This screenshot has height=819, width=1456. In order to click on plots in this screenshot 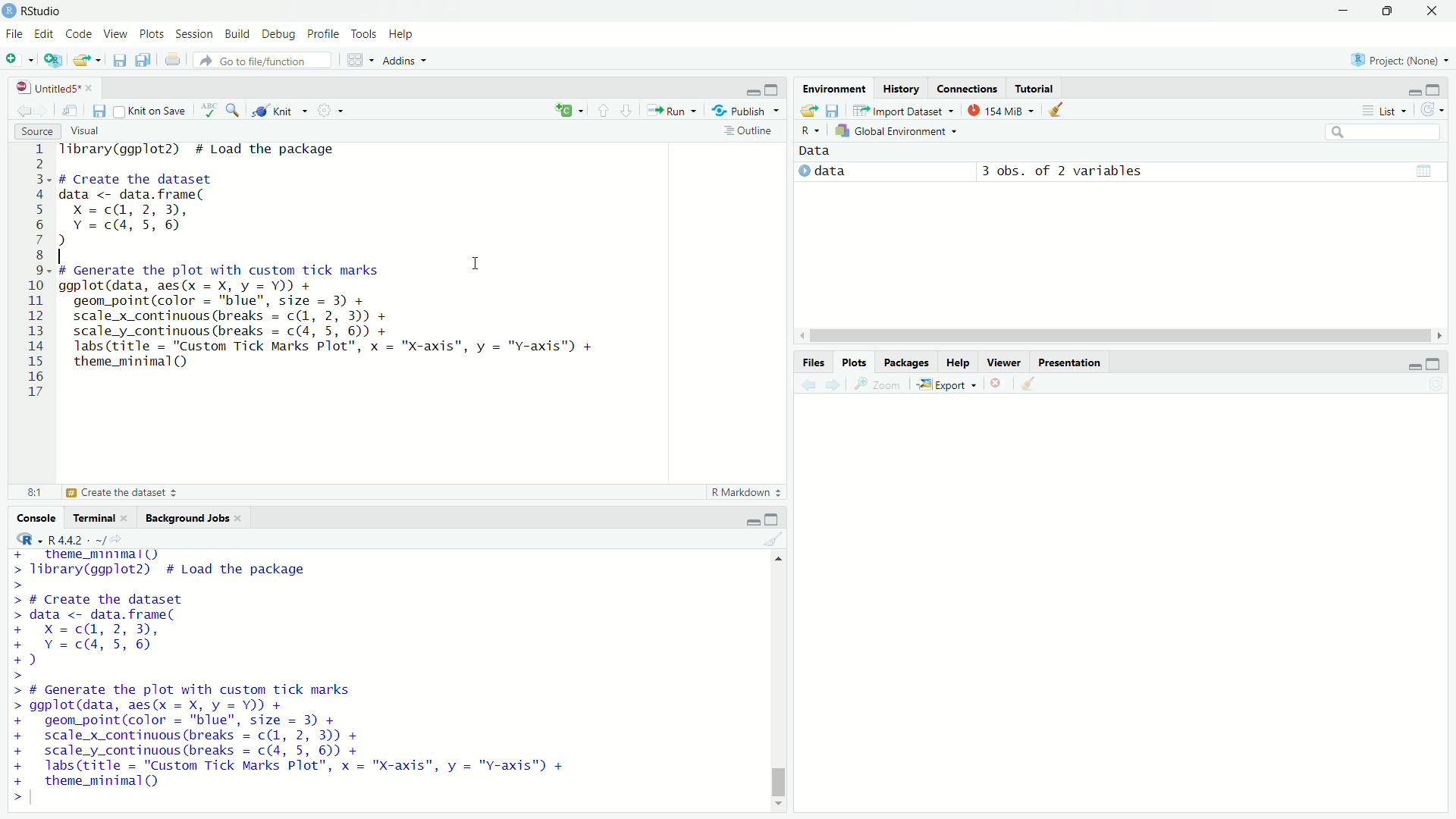, I will do `click(855, 362)`.